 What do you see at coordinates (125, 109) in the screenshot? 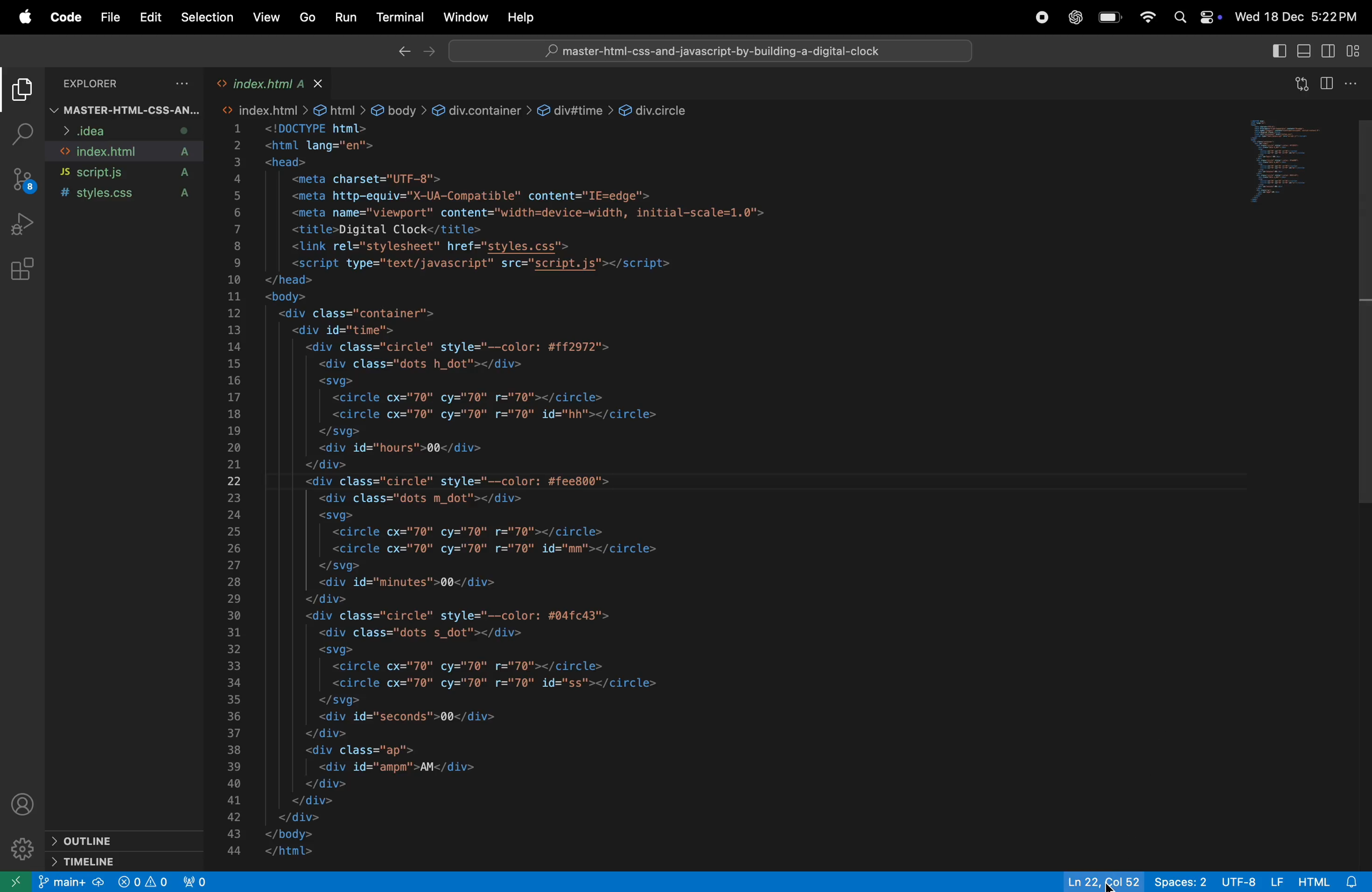
I see `master html css file` at bounding box center [125, 109].